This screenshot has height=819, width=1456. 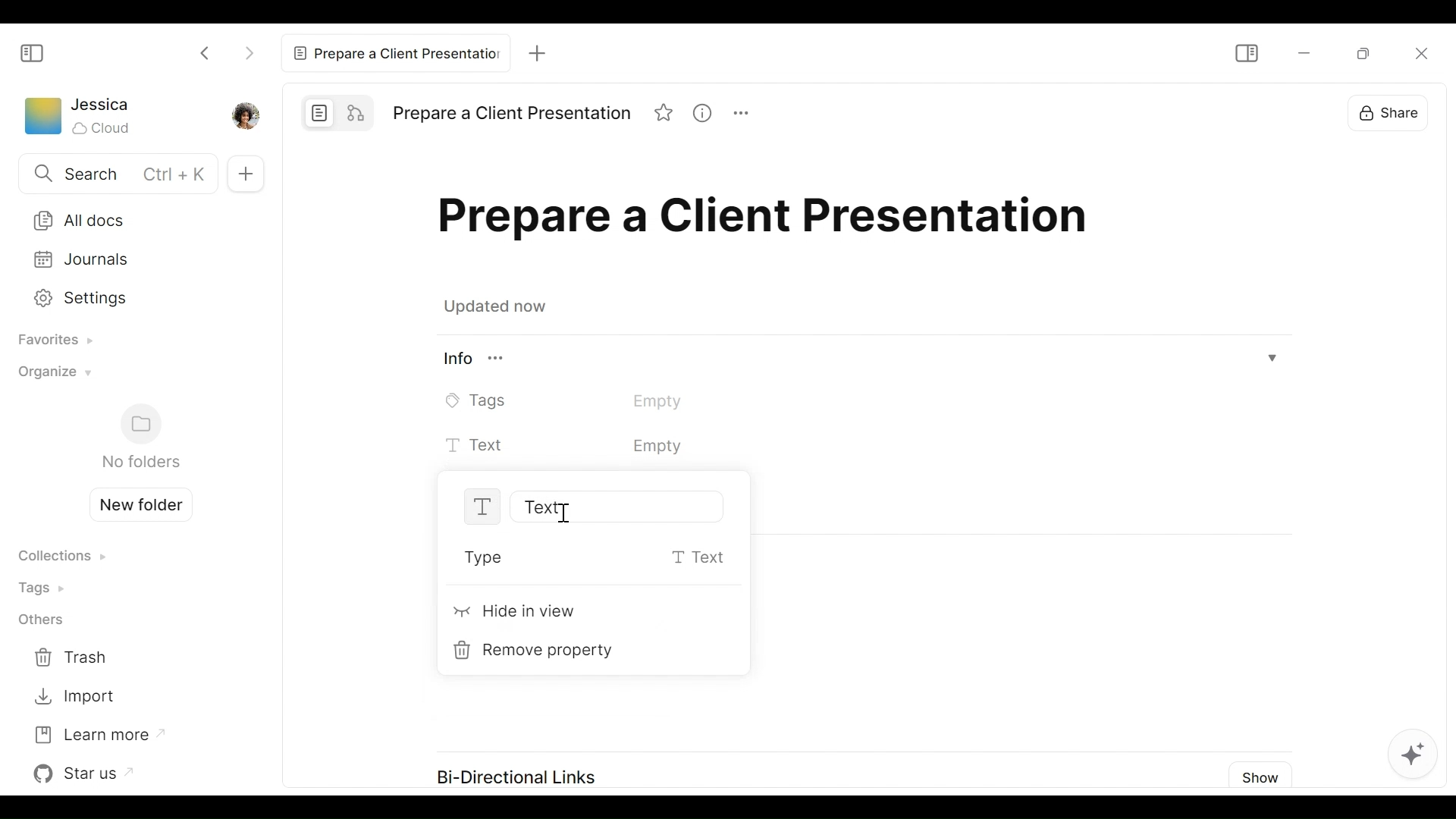 What do you see at coordinates (399, 52) in the screenshot?
I see `Current tab` at bounding box center [399, 52].